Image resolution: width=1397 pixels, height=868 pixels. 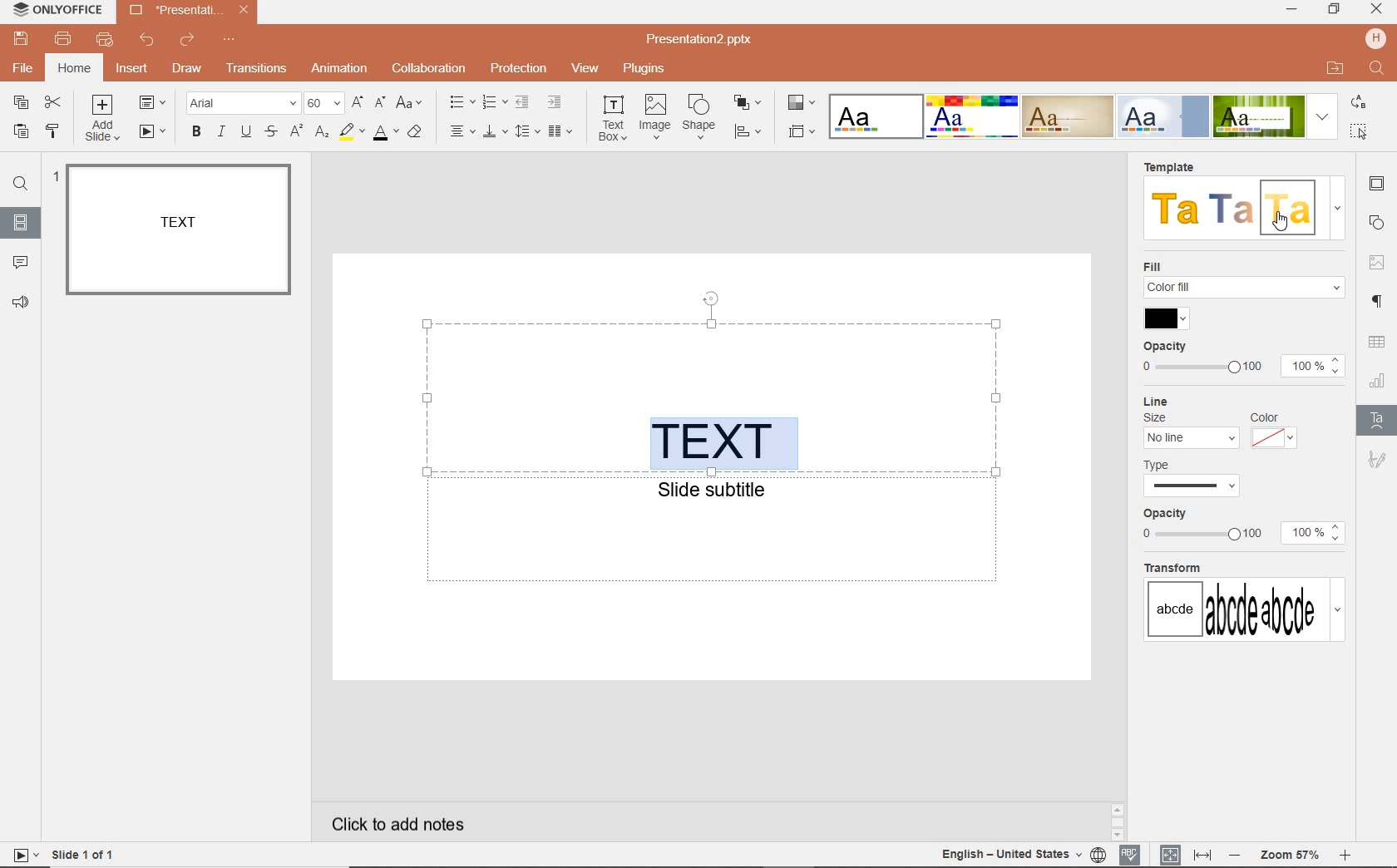 I want to click on BOLD, so click(x=193, y=134).